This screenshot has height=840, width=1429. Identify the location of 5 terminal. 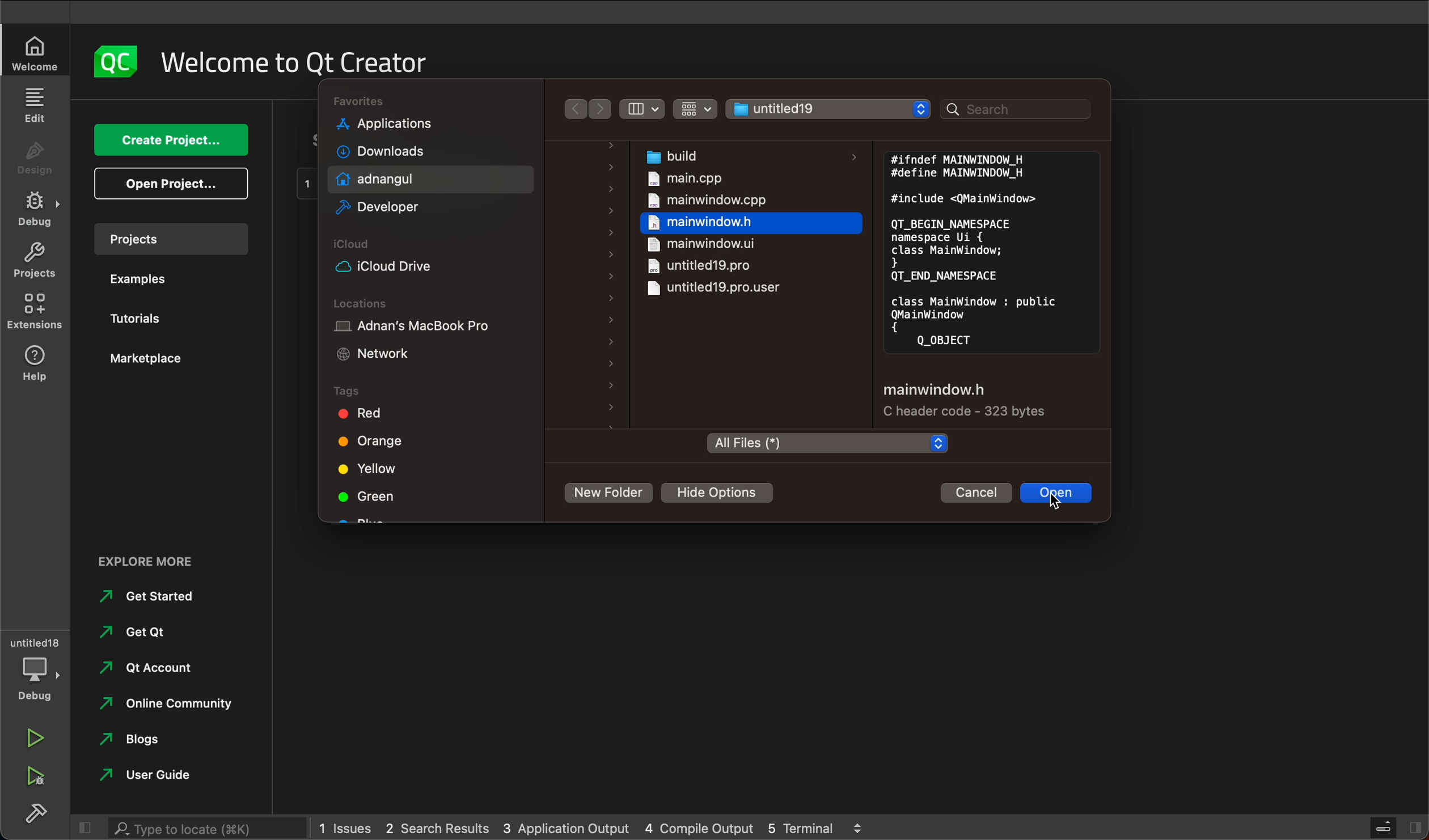
(822, 826).